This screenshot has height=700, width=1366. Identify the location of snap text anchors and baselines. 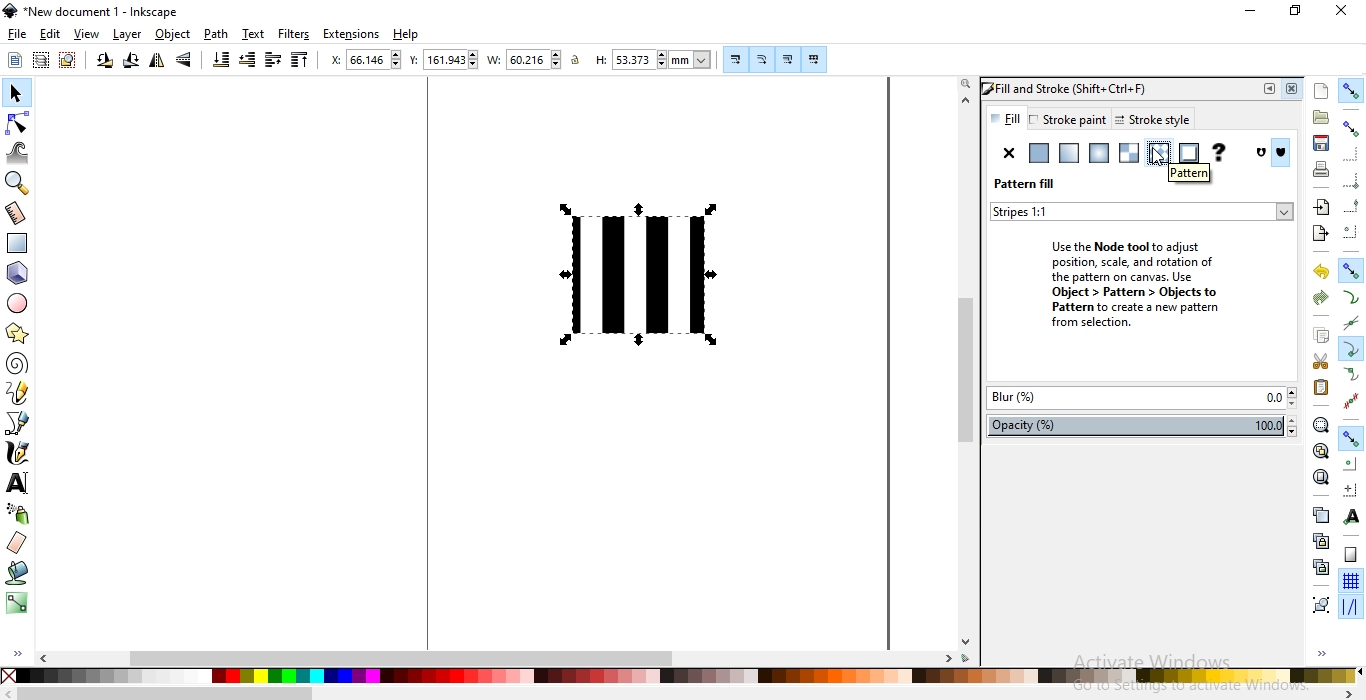
(1349, 515).